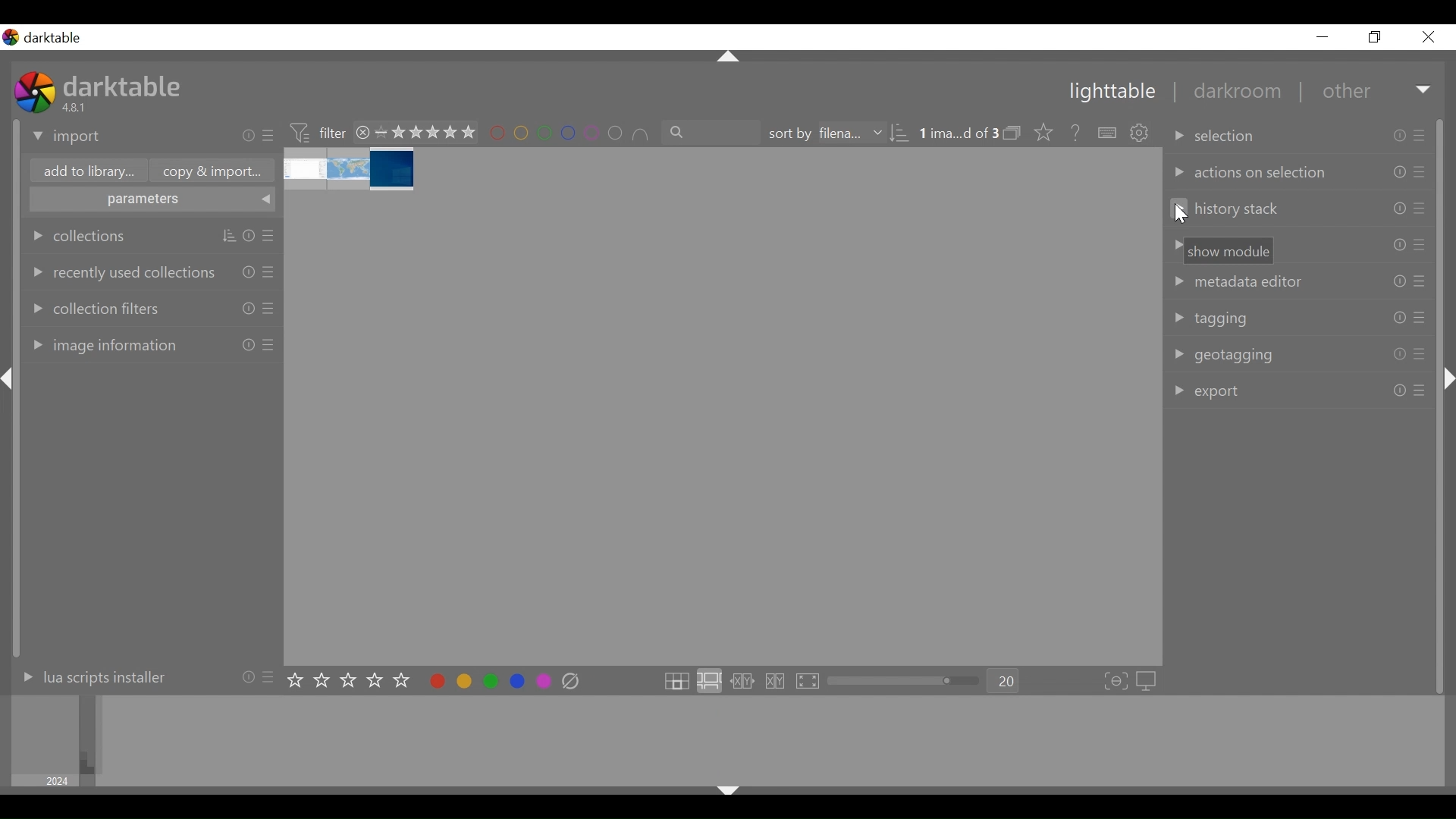  What do you see at coordinates (1422, 134) in the screenshot?
I see `presets` at bounding box center [1422, 134].